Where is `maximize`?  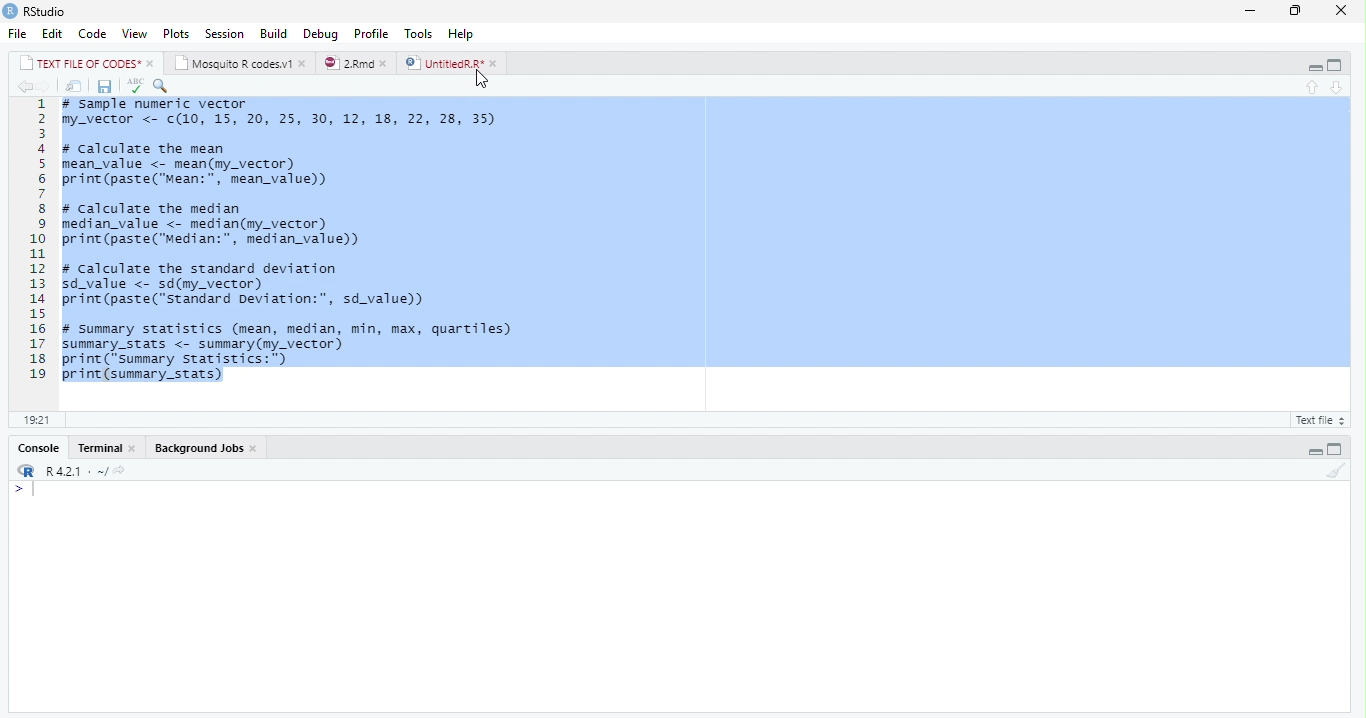 maximize is located at coordinates (1335, 66).